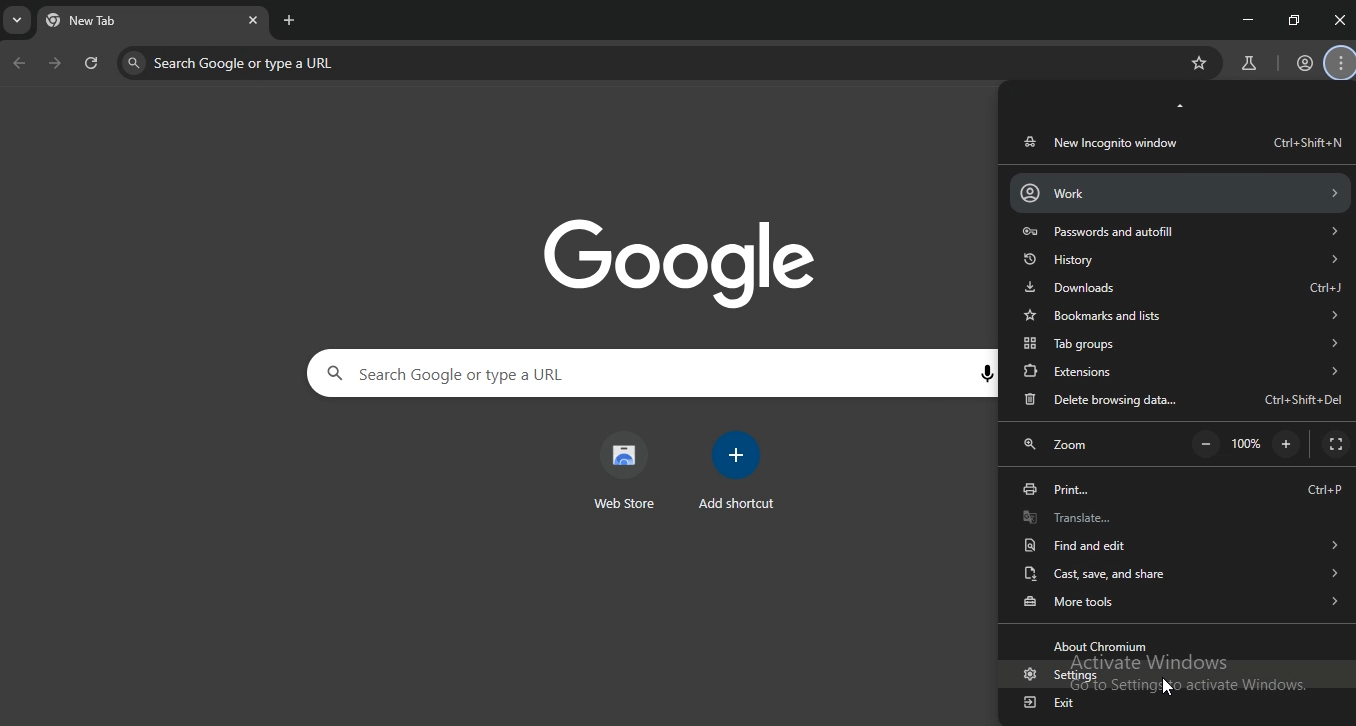  Describe the element at coordinates (1183, 287) in the screenshot. I see `downloads` at that location.